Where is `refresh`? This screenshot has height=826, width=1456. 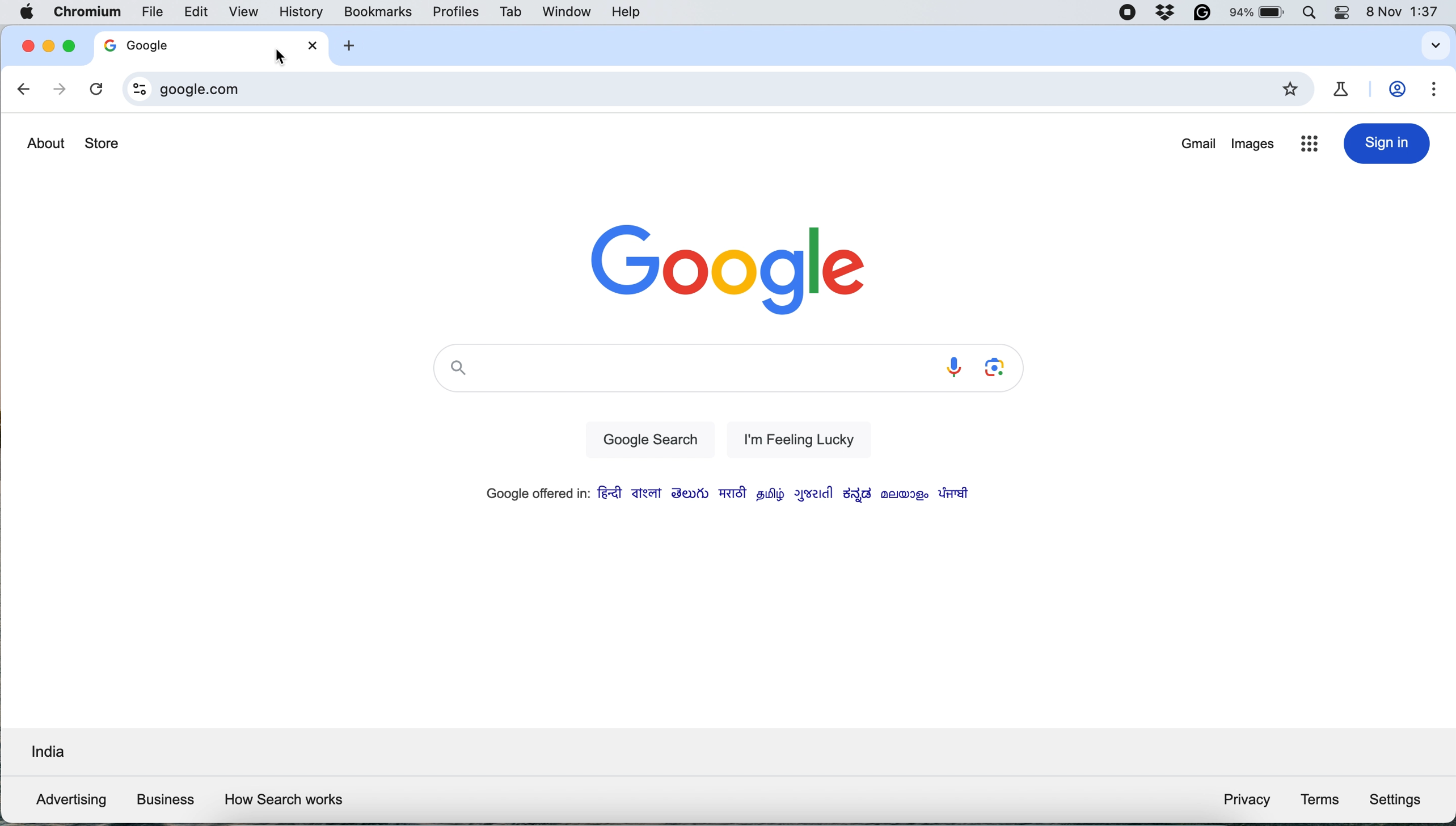 refresh is located at coordinates (95, 90).